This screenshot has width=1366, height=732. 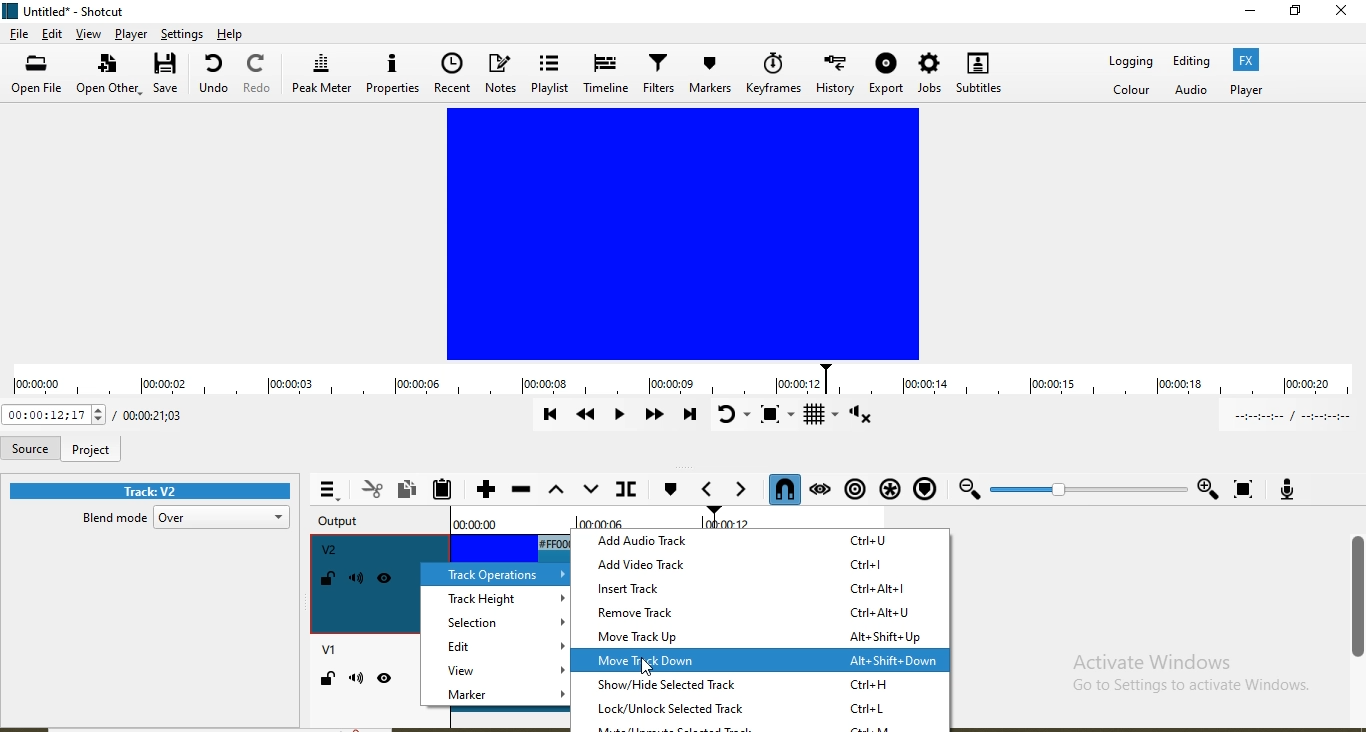 I want to click on Snap, so click(x=784, y=490).